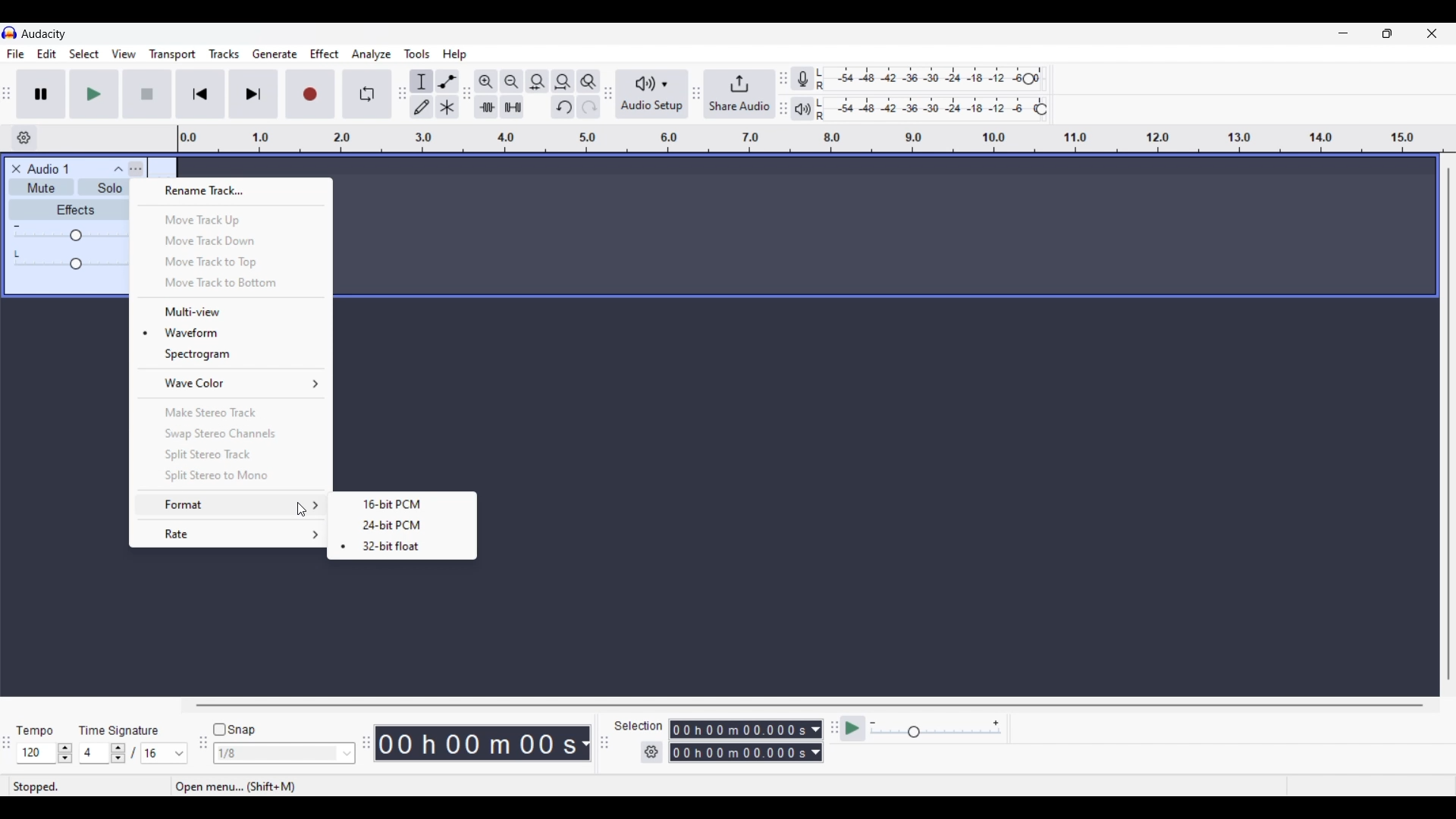  What do you see at coordinates (173, 54) in the screenshot?
I see `Transport menu` at bounding box center [173, 54].